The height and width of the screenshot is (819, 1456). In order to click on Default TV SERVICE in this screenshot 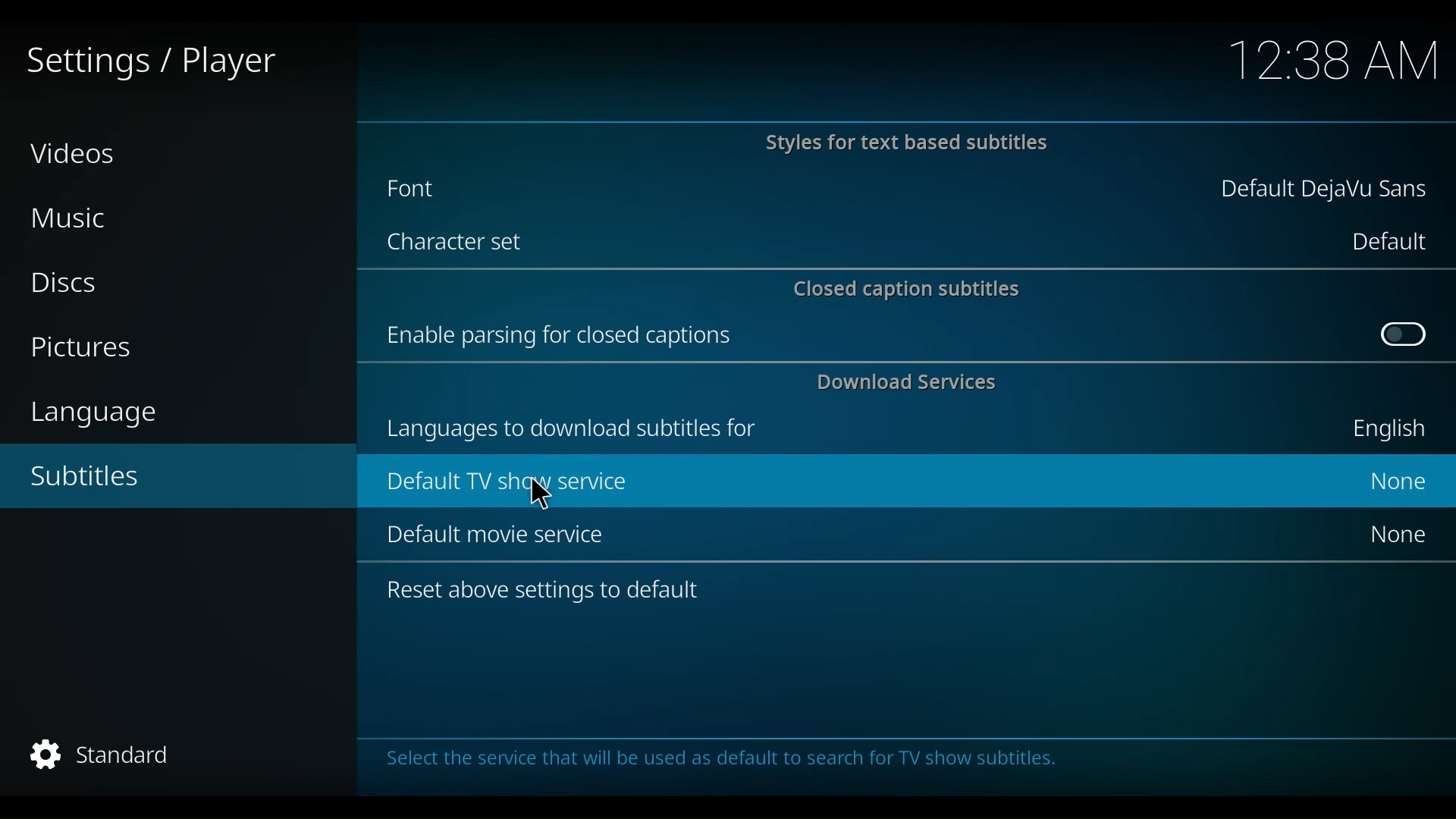, I will do `click(501, 480)`.